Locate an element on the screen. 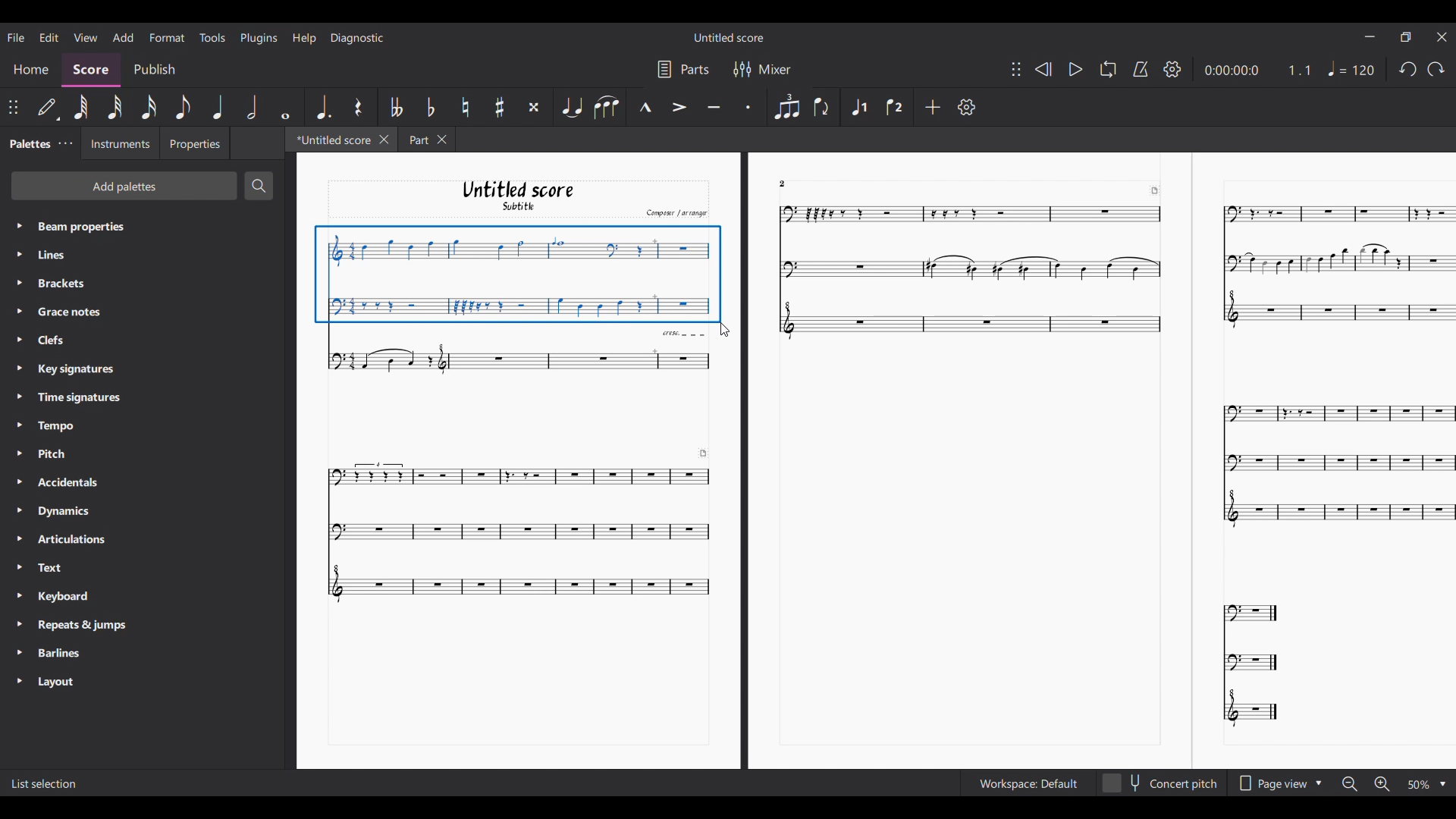  Tuplet is located at coordinates (786, 106).